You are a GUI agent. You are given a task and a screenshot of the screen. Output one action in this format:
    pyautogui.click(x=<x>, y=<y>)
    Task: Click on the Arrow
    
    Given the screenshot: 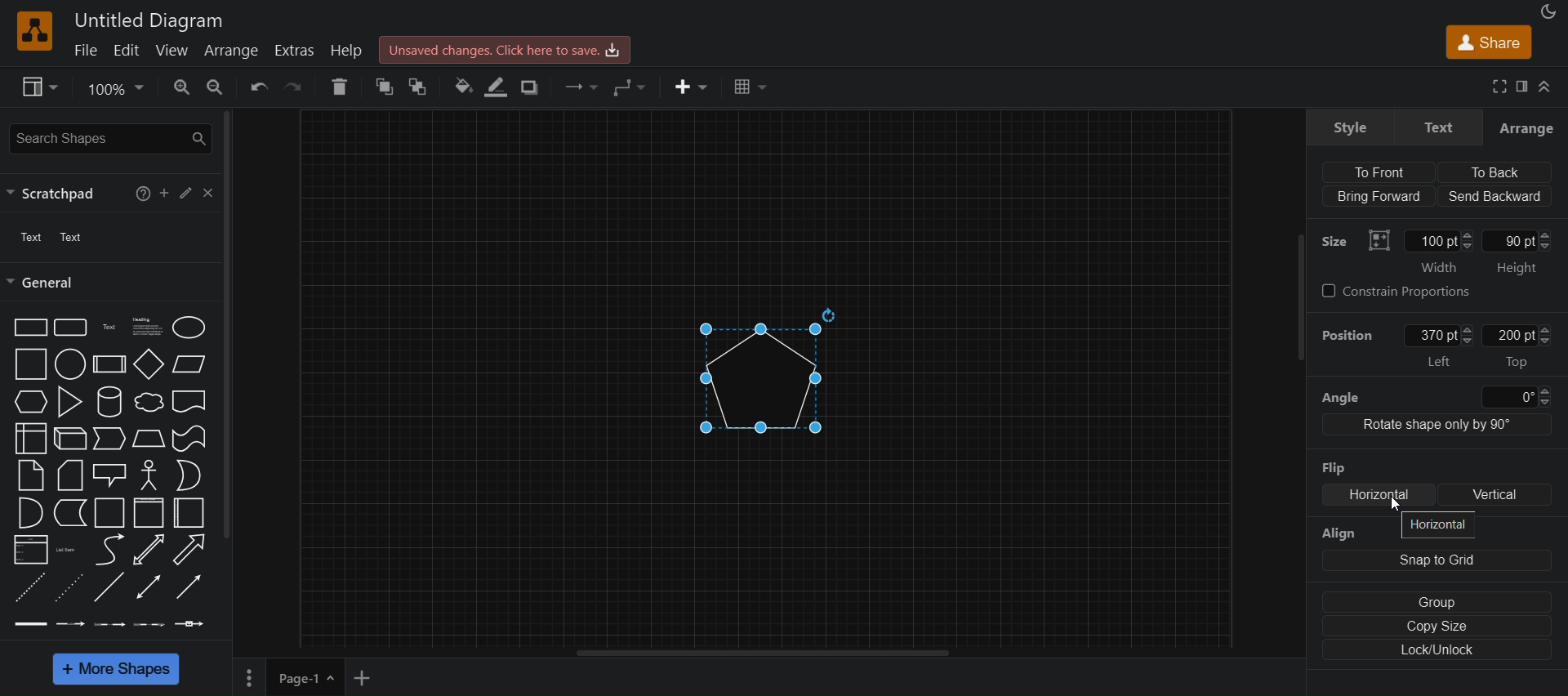 What is the action you would take?
    pyautogui.click(x=189, y=550)
    